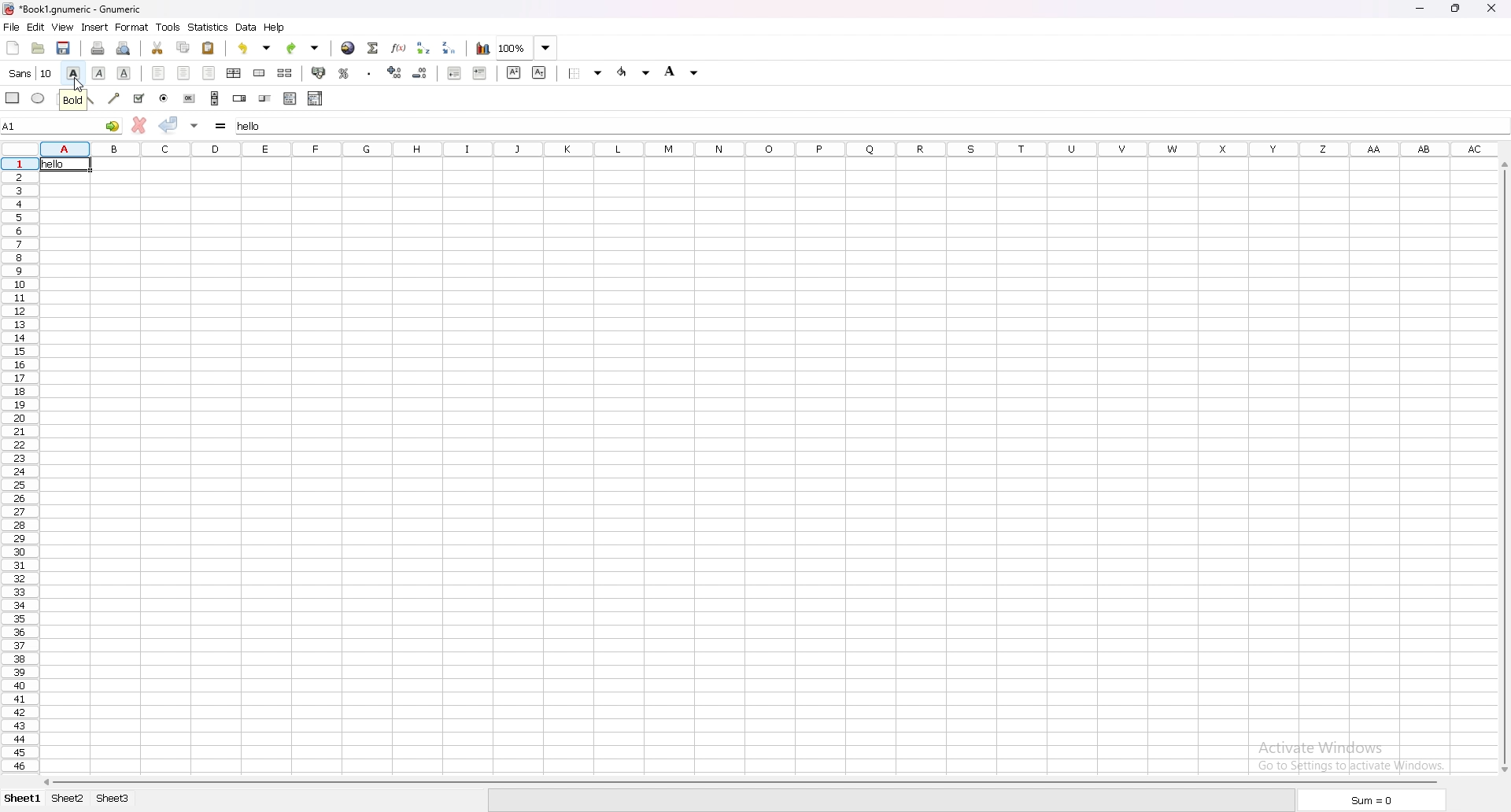 The image size is (1511, 812). What do you see at coordinates (12, 27) in the screenshot?
I see `file` at bounding box center [12, 27].